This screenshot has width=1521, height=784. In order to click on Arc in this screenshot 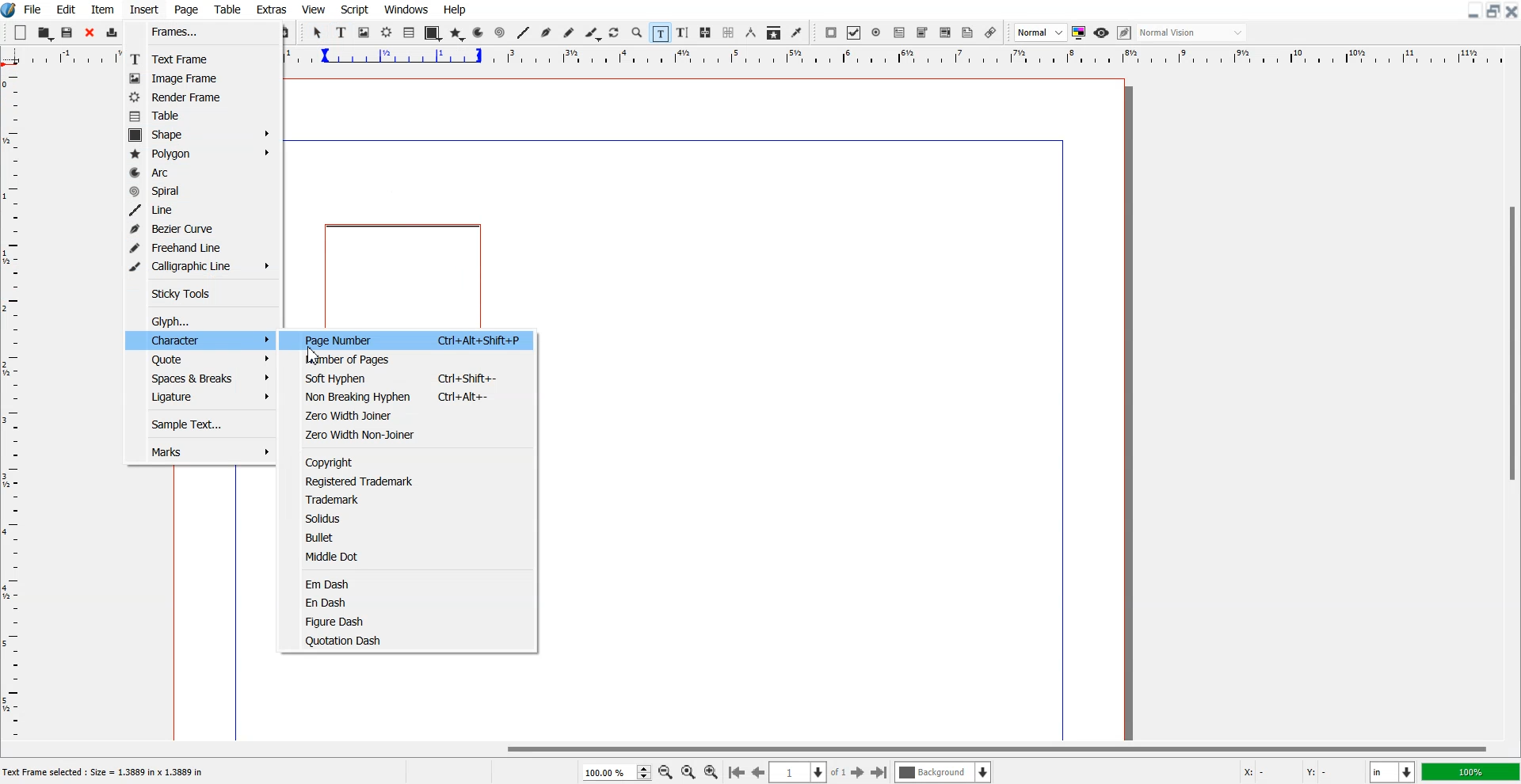, I will do `click(202, 172)`.